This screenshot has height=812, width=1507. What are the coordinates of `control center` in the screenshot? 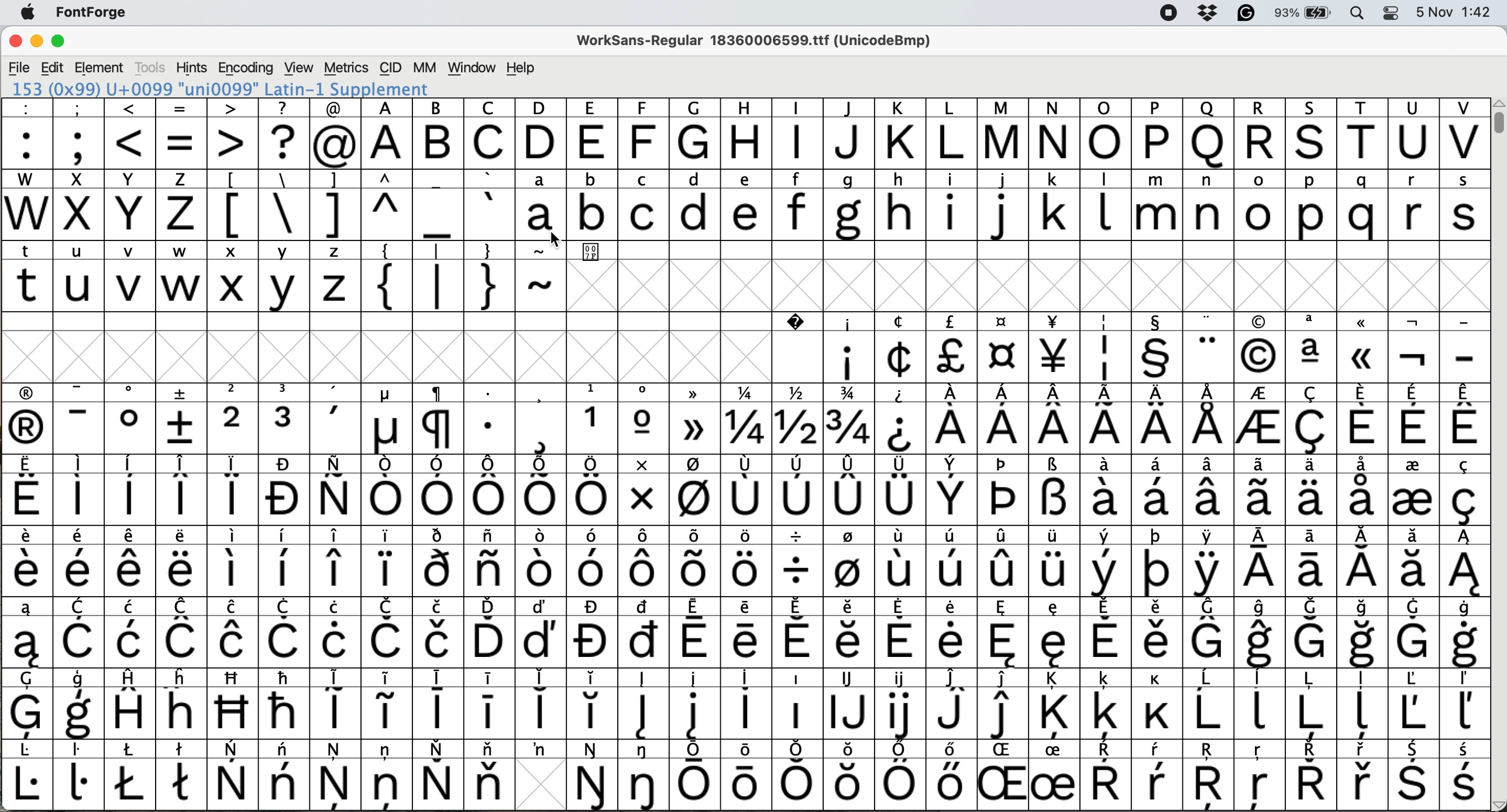 It's located at (1391, 14).